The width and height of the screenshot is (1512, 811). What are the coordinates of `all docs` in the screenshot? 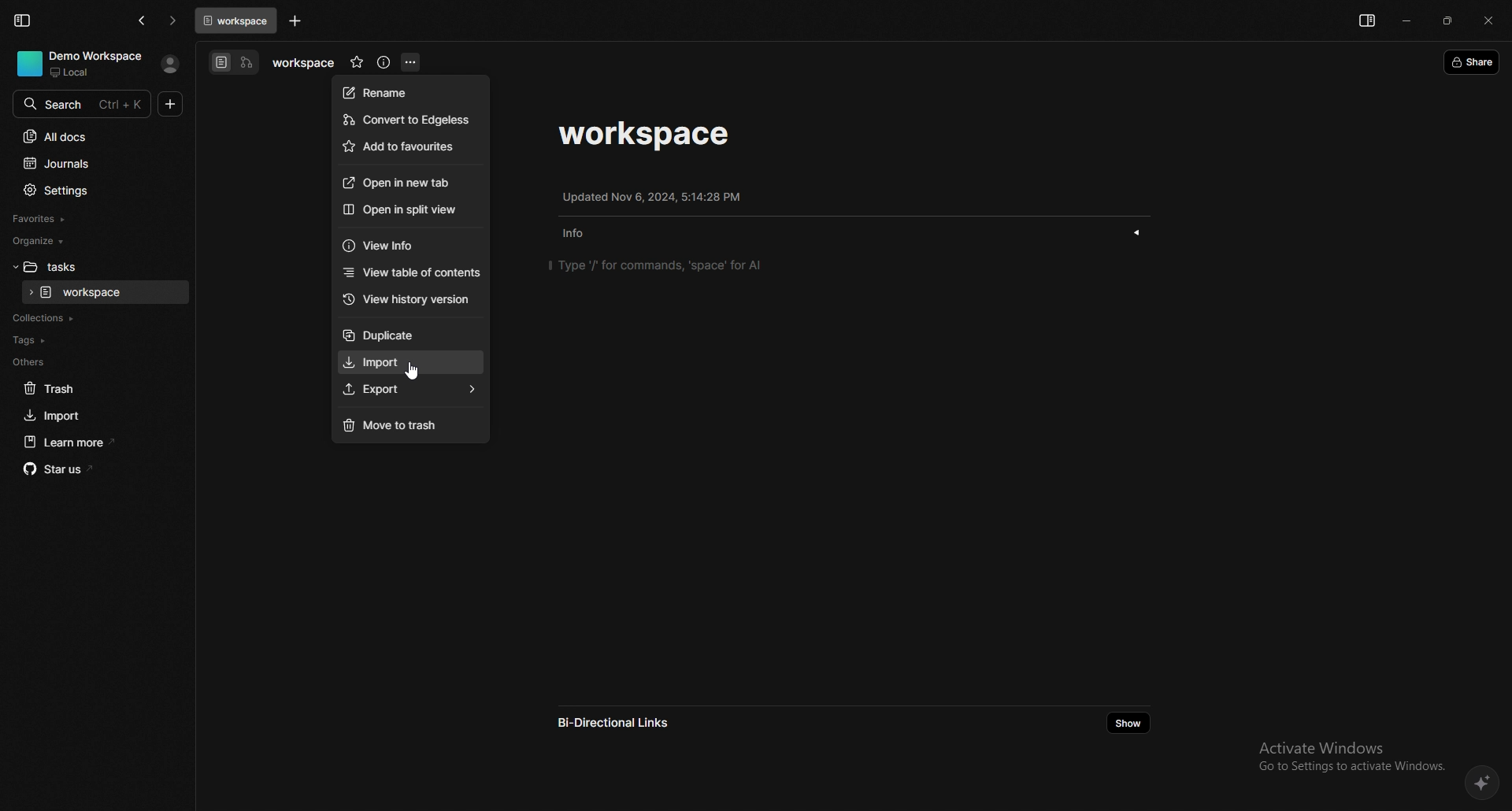 It's located at (90, 136).